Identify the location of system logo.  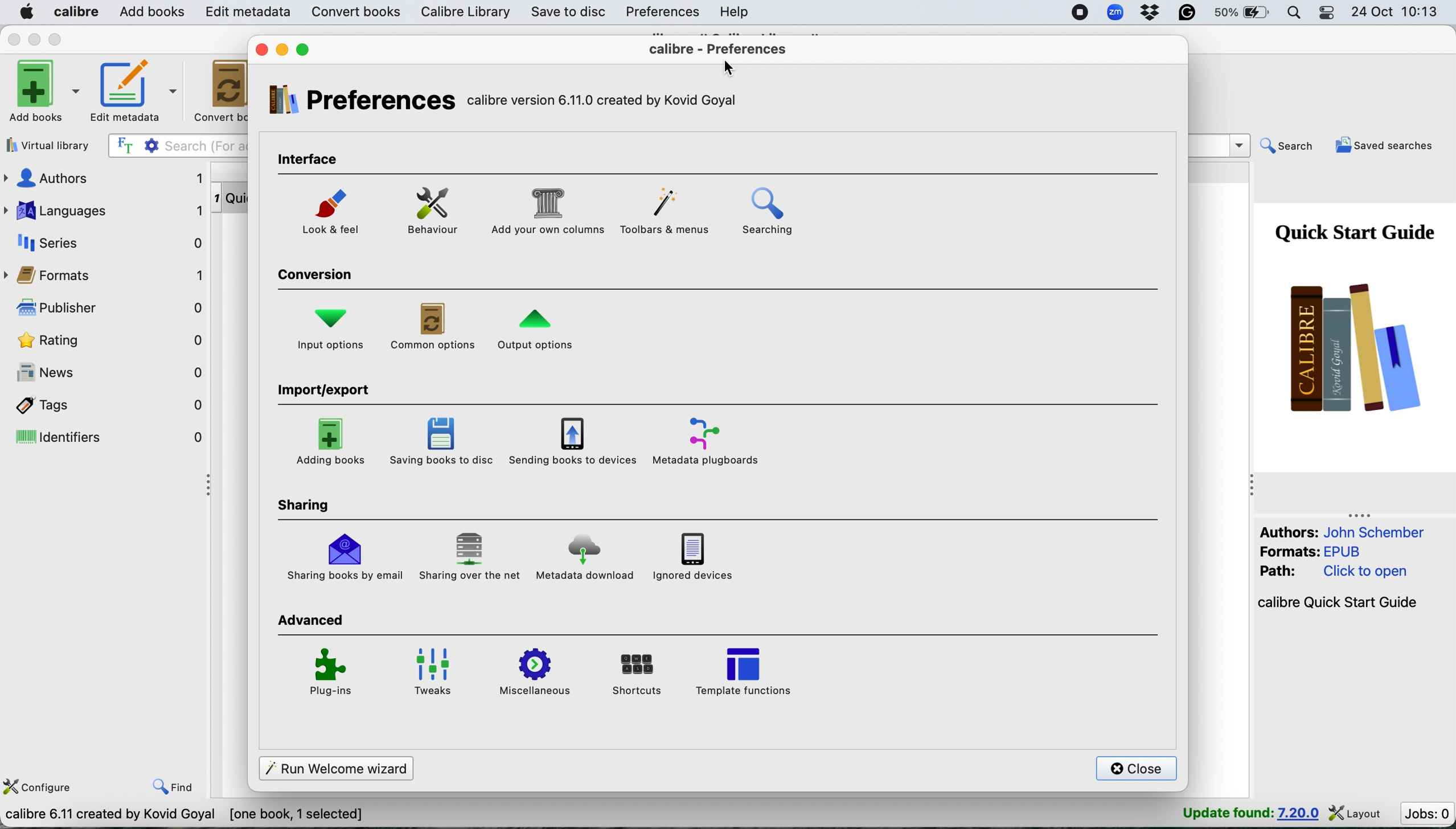
(26, 13).